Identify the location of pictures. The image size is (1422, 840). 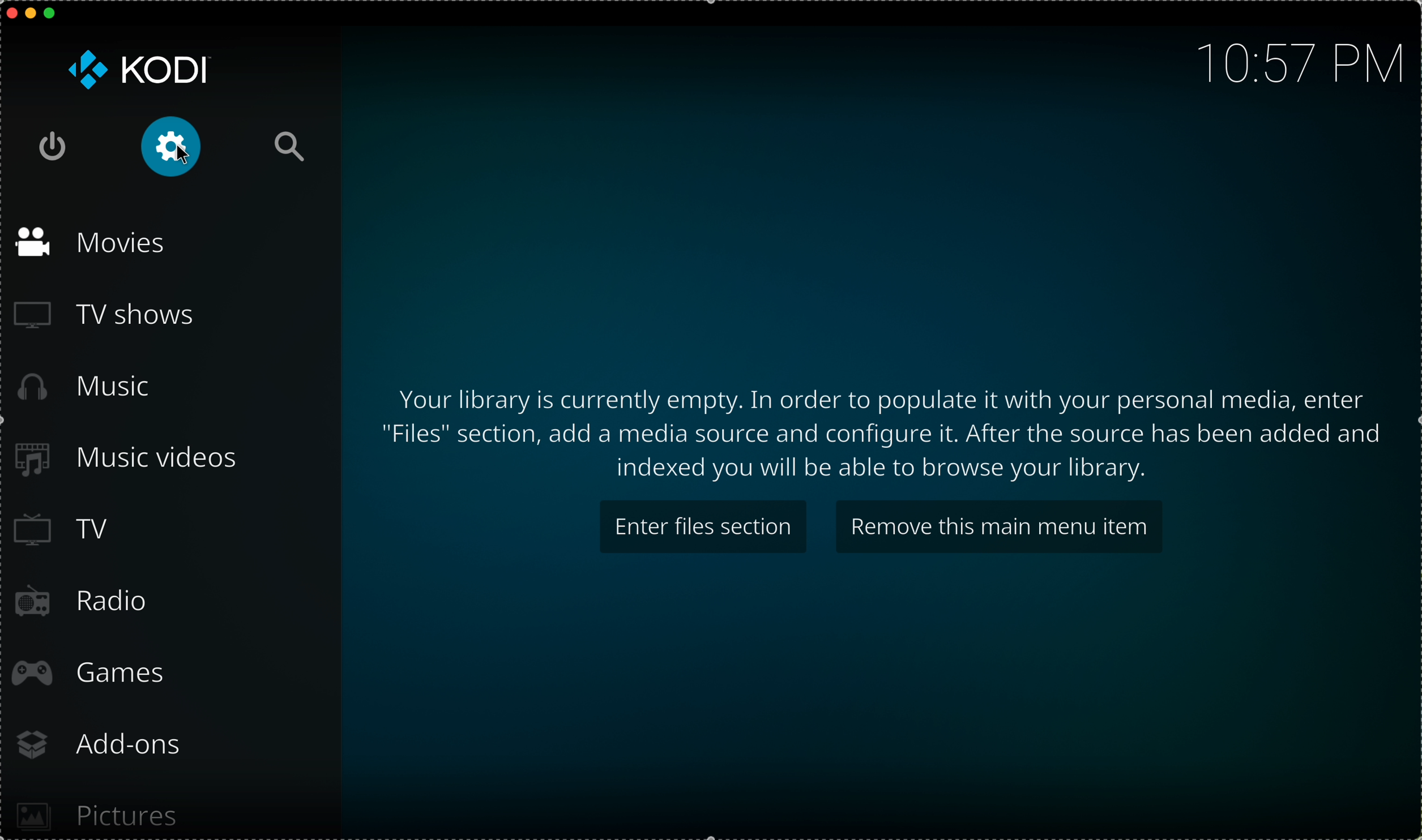
(100, 809).